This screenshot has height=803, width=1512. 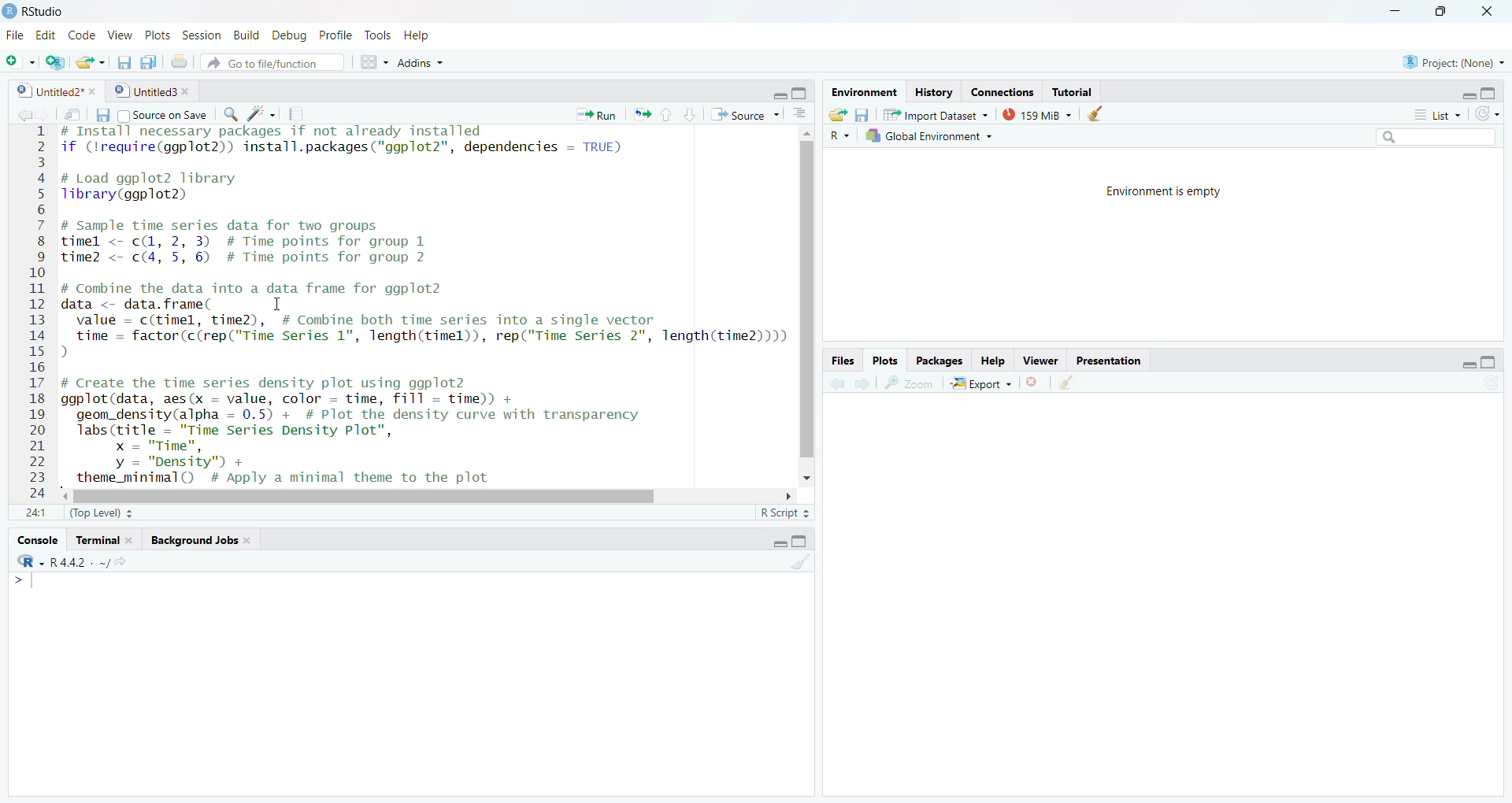 I want to click on Maximize, so click(x=799, y=541).